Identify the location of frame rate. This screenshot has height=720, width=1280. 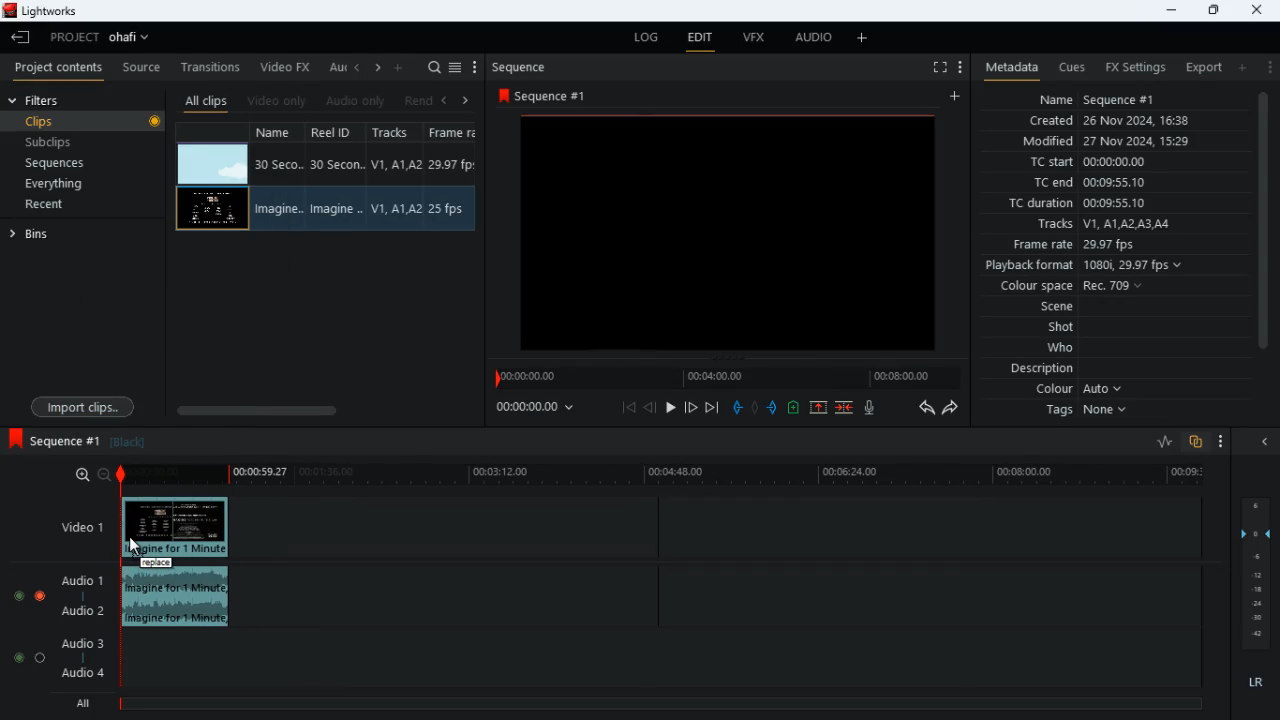
(1104, 245).